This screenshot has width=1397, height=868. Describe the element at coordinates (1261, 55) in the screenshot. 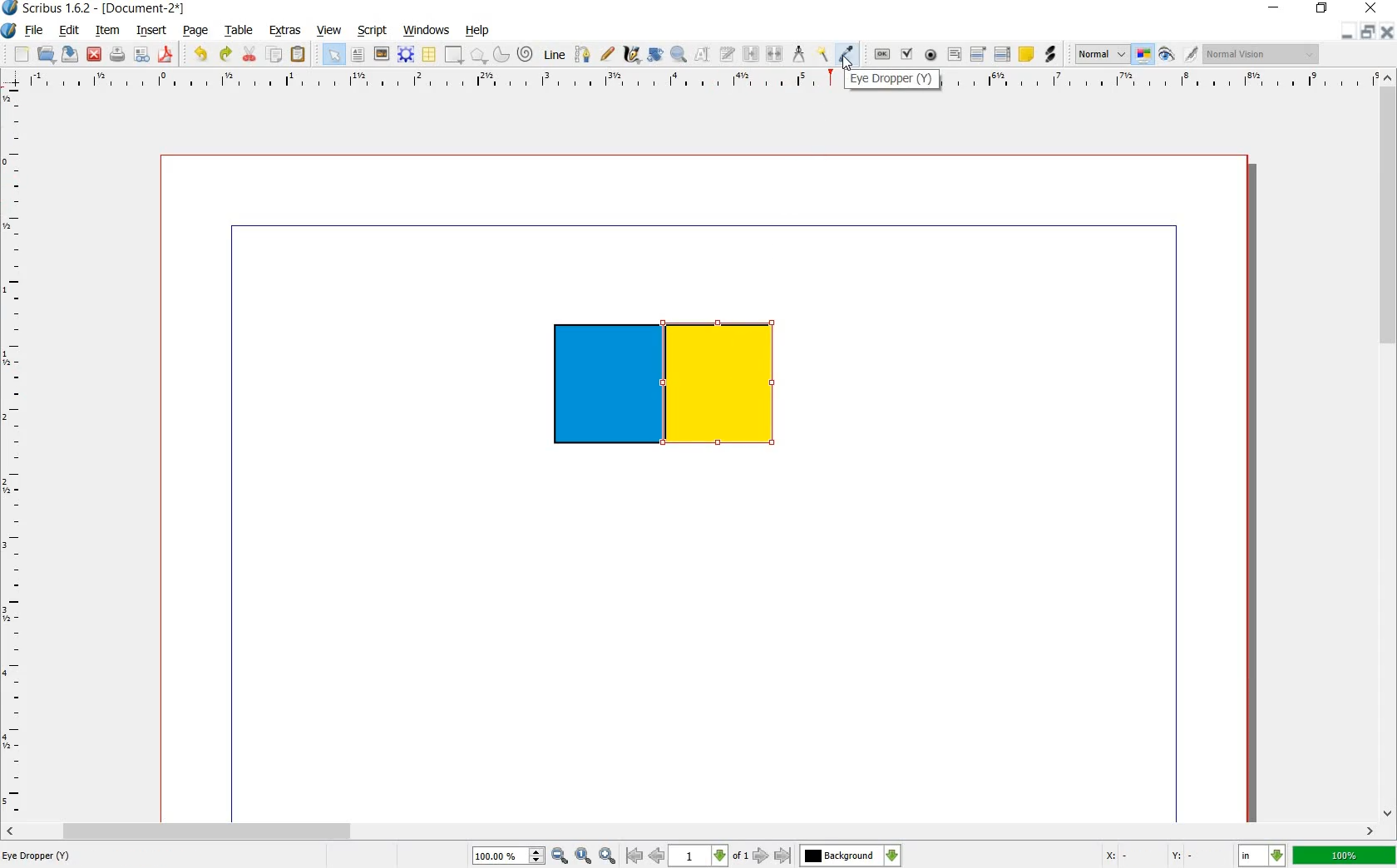

I see `normal vision` at that location.